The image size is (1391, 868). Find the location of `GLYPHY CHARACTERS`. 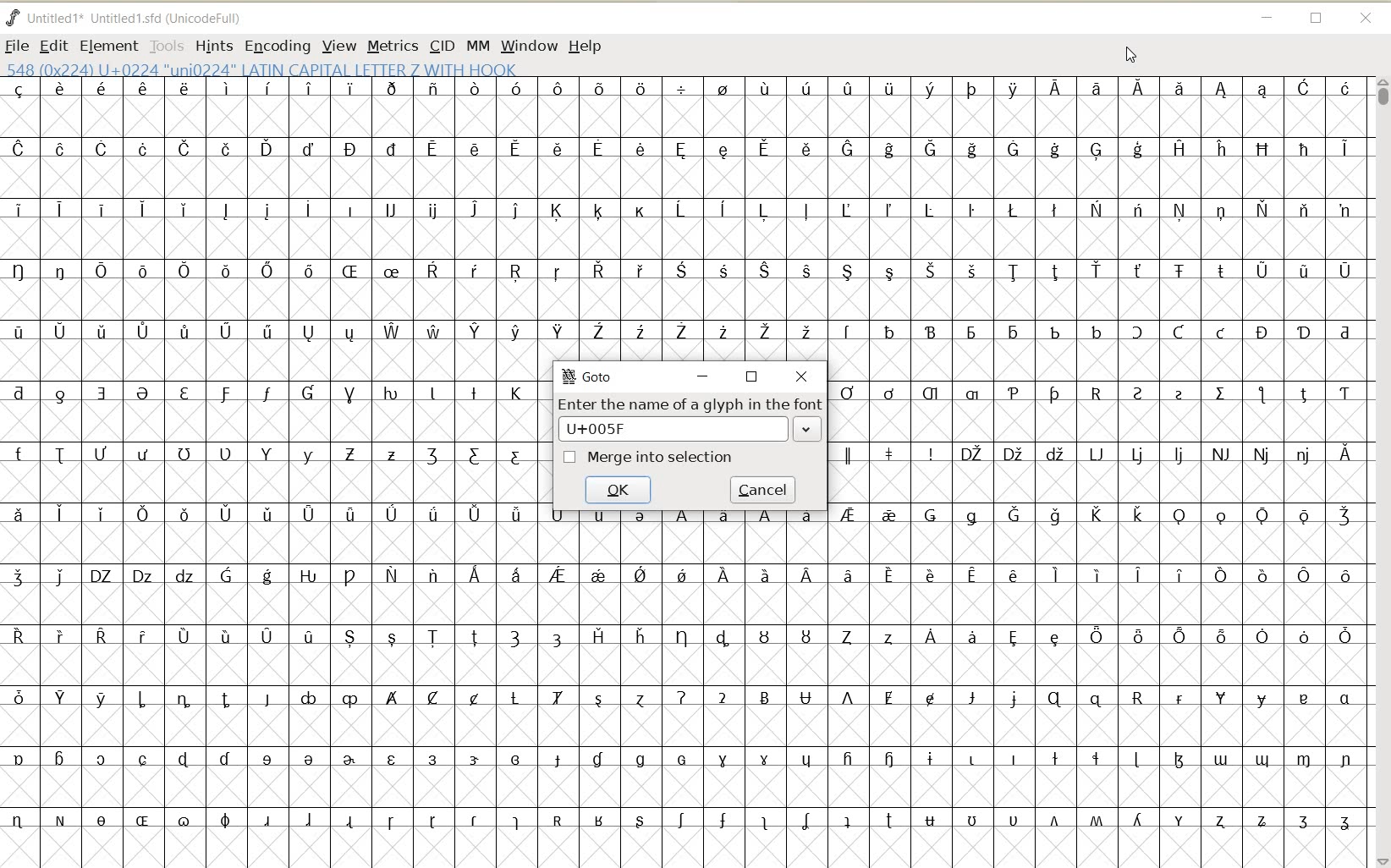

GLYPHY CHARACTERS is located at coordinates (1098, 619).